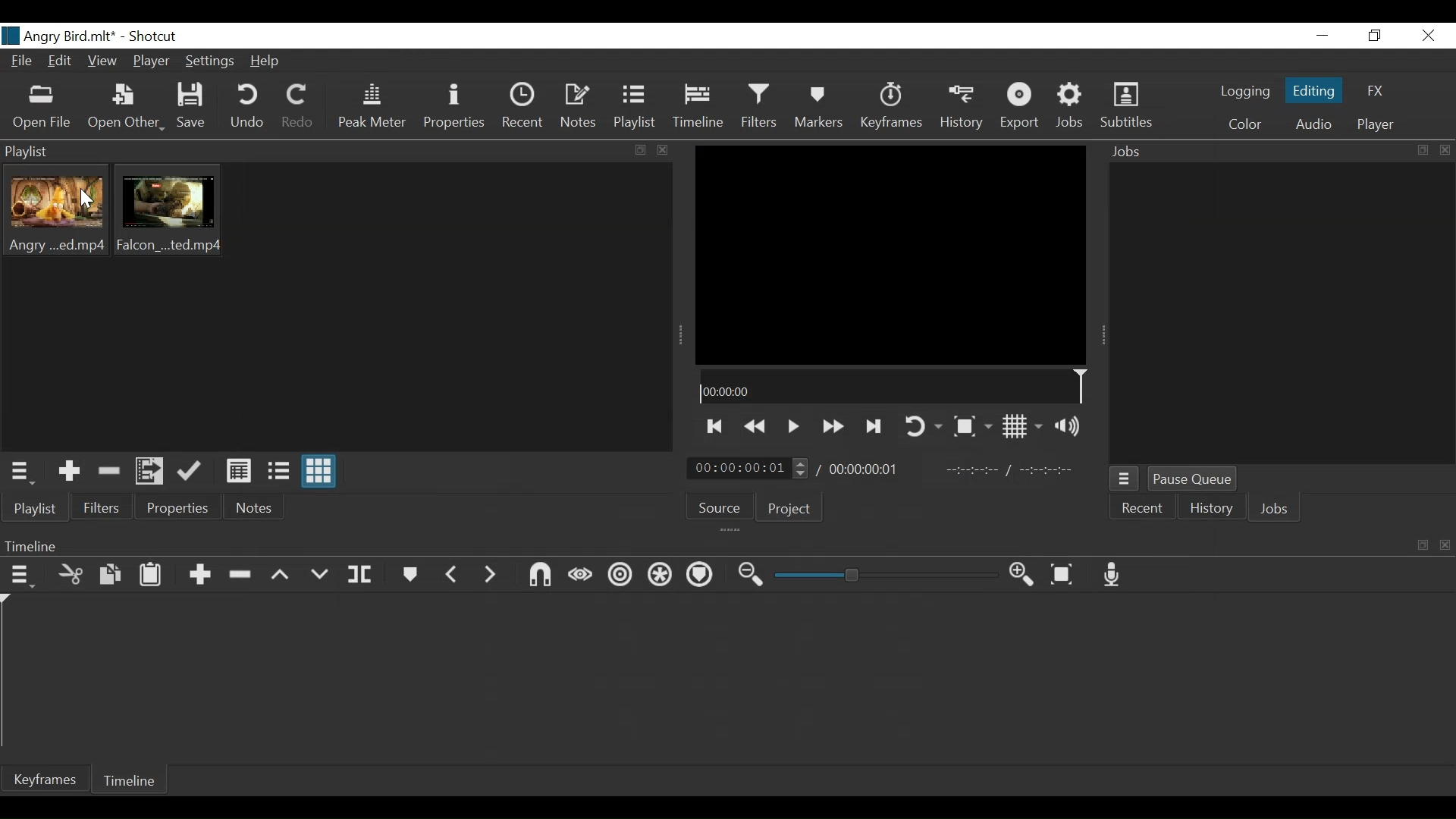  What do you see at coordinates (622, 576) in the screenshot?
I see `Ripple` at bounding box center [622, 576].